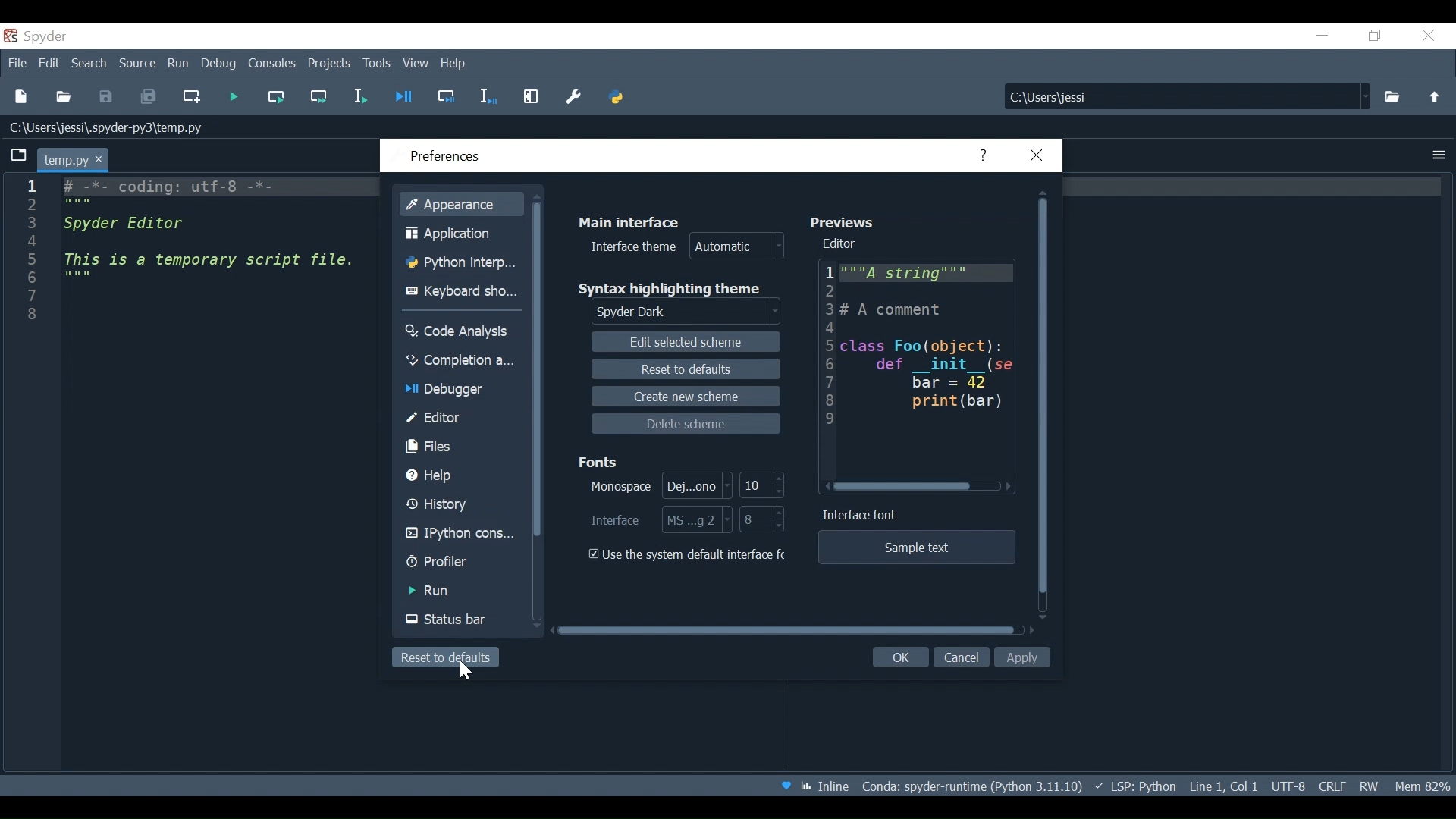 Image resolution: width=1456 pixels, height=819 pixels. I want to click on Interface fonts, so click(657, 519).